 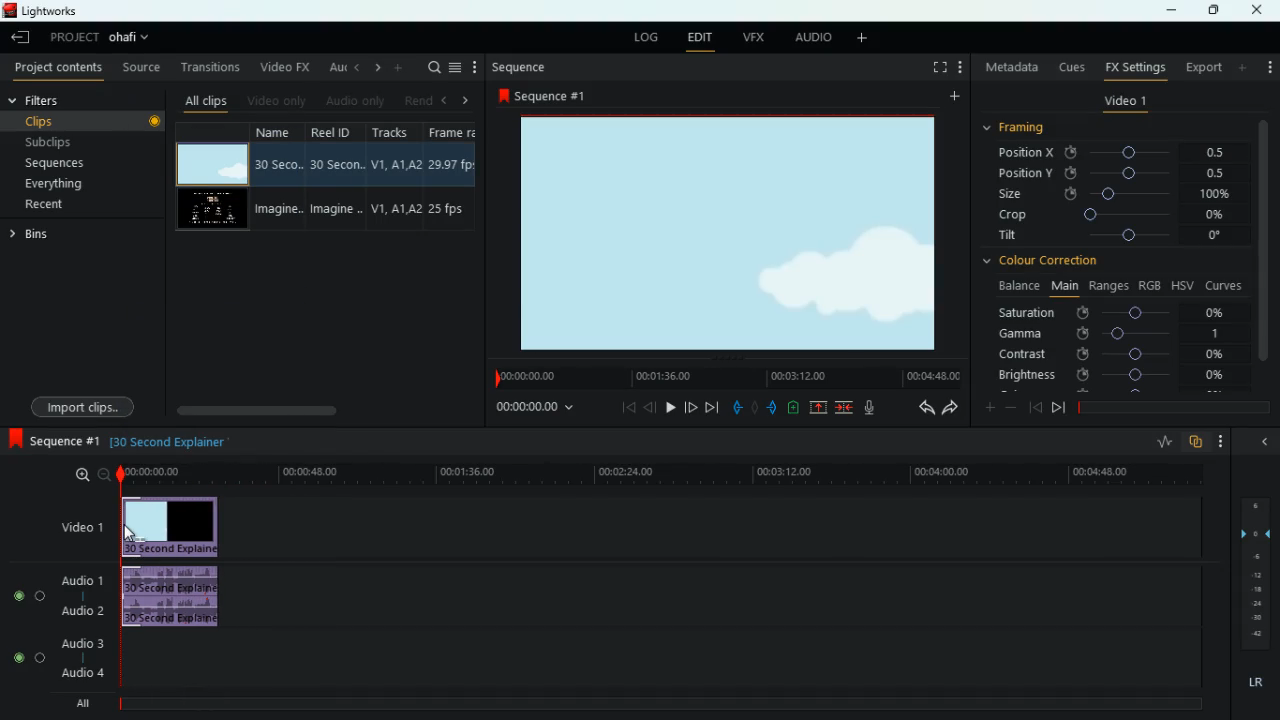 I want to click on project contents, so click(x=60, y=68).